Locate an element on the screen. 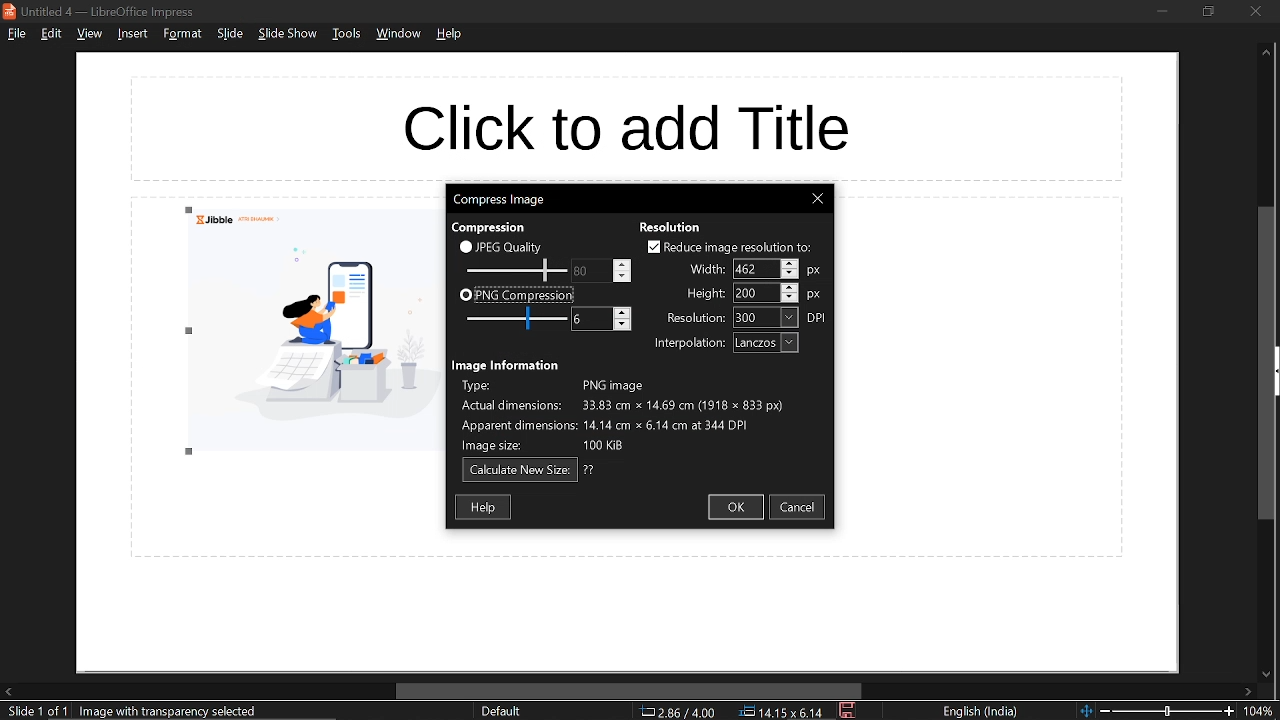 This screenshot has height=720, width=1280. resolution unit: DPI is located at coordinates (818, 318).